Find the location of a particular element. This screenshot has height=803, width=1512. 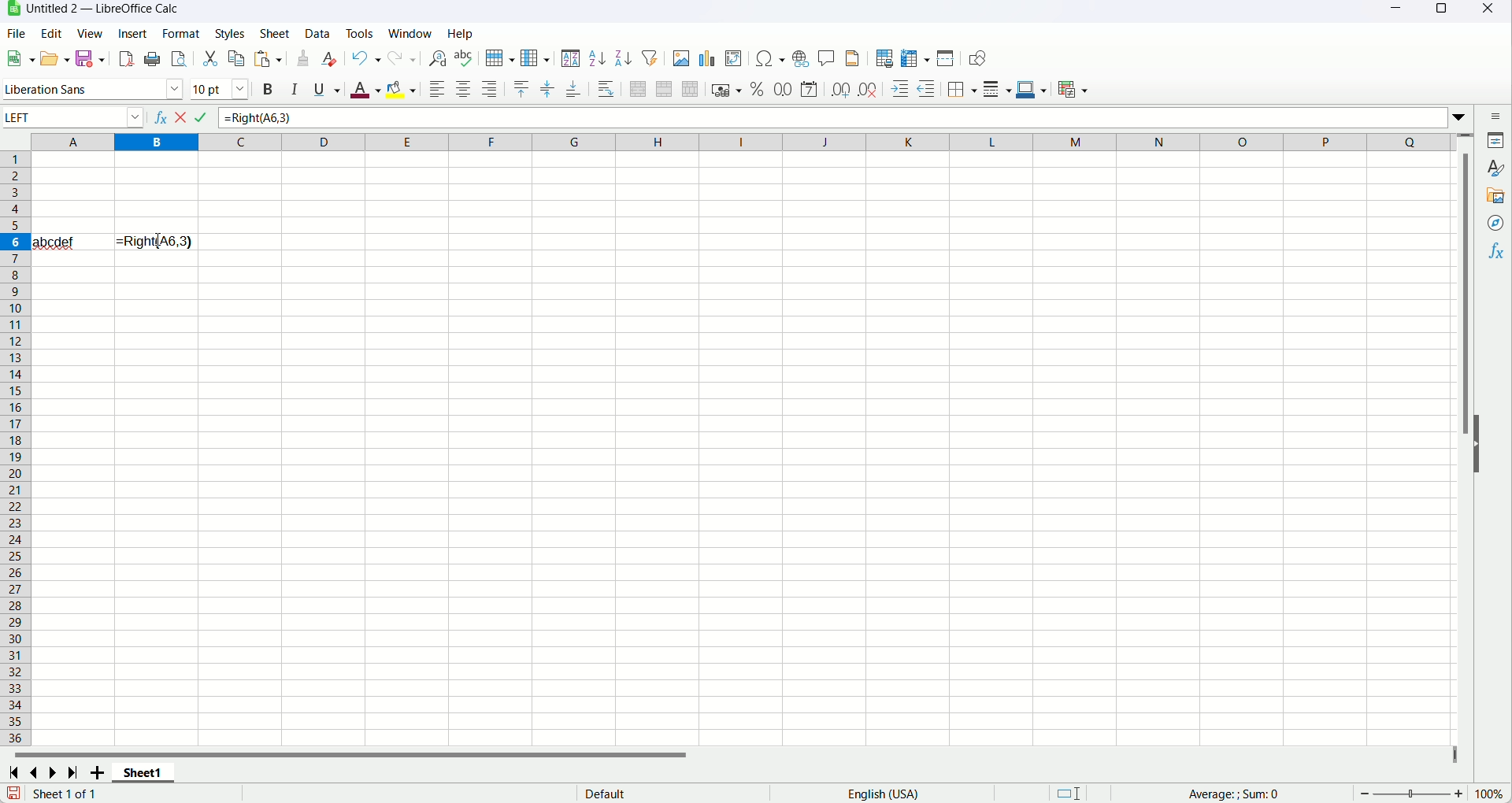

gallery is located at coordinates (1497, 197).